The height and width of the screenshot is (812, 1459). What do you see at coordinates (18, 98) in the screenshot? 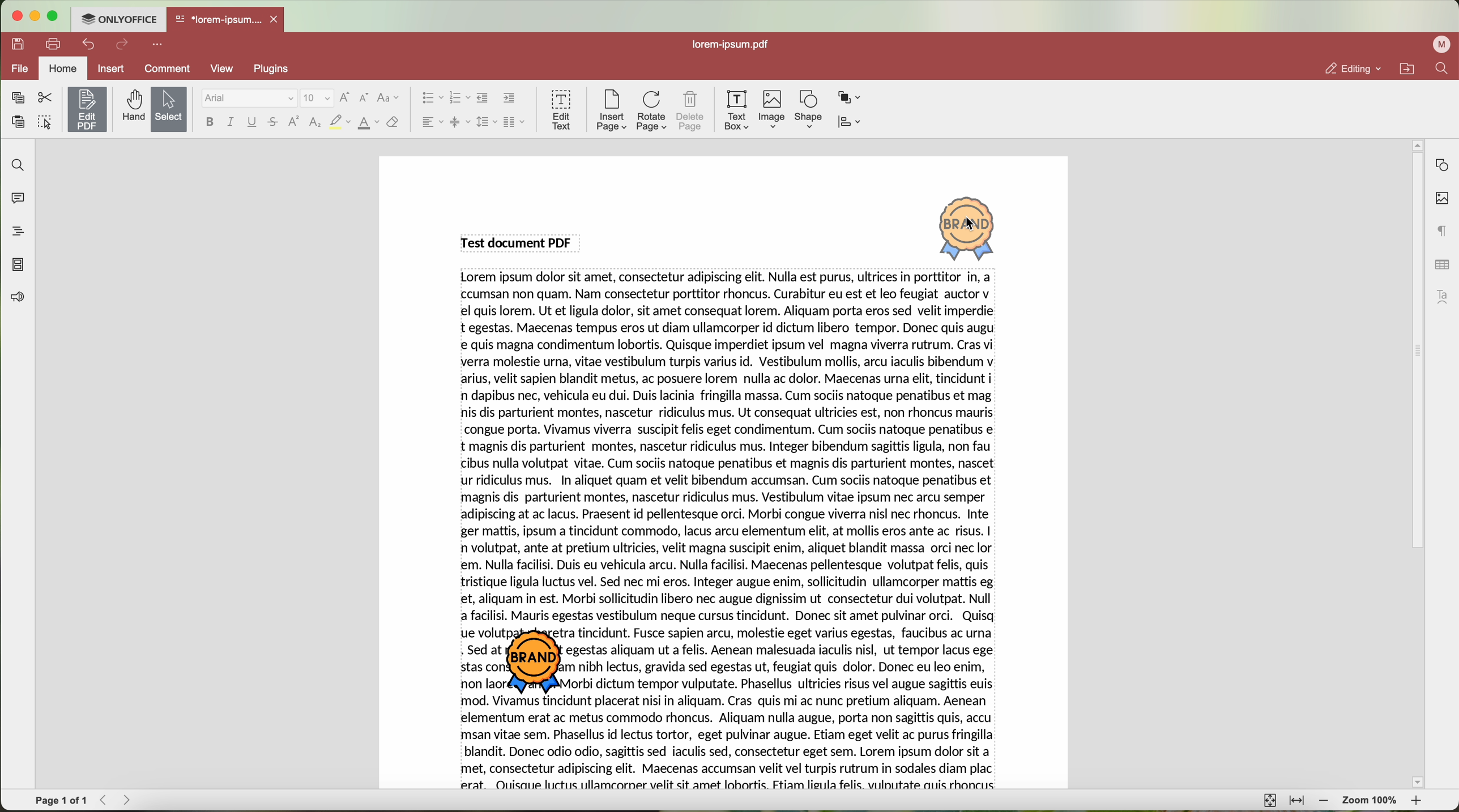
I see `copy` at bounding box center [18, 98].